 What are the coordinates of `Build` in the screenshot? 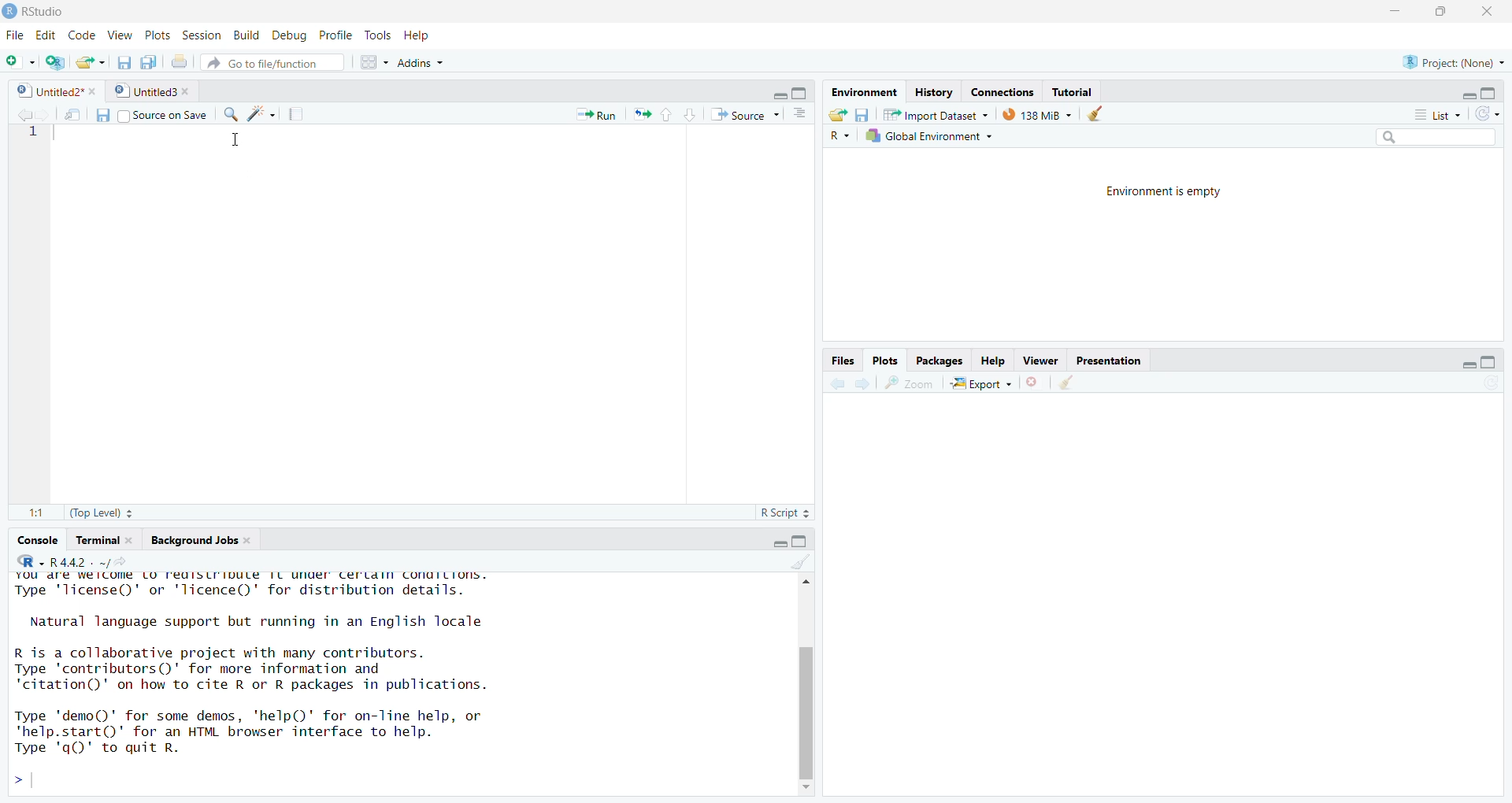 It's located at (243, 33).